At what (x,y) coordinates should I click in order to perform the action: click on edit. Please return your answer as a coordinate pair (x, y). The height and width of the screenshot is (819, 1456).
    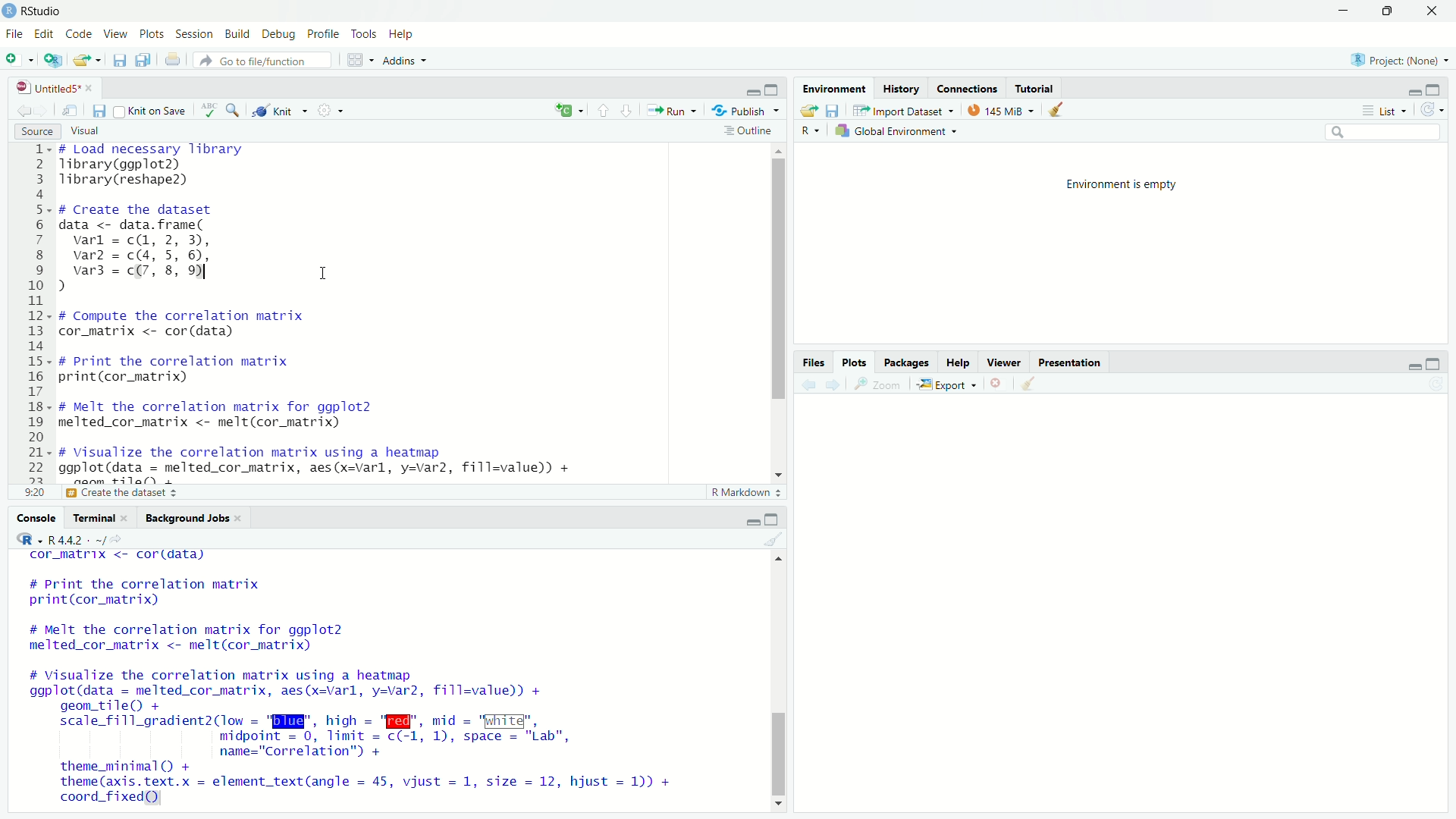
    Looking at the image, I should click on (43, 33).